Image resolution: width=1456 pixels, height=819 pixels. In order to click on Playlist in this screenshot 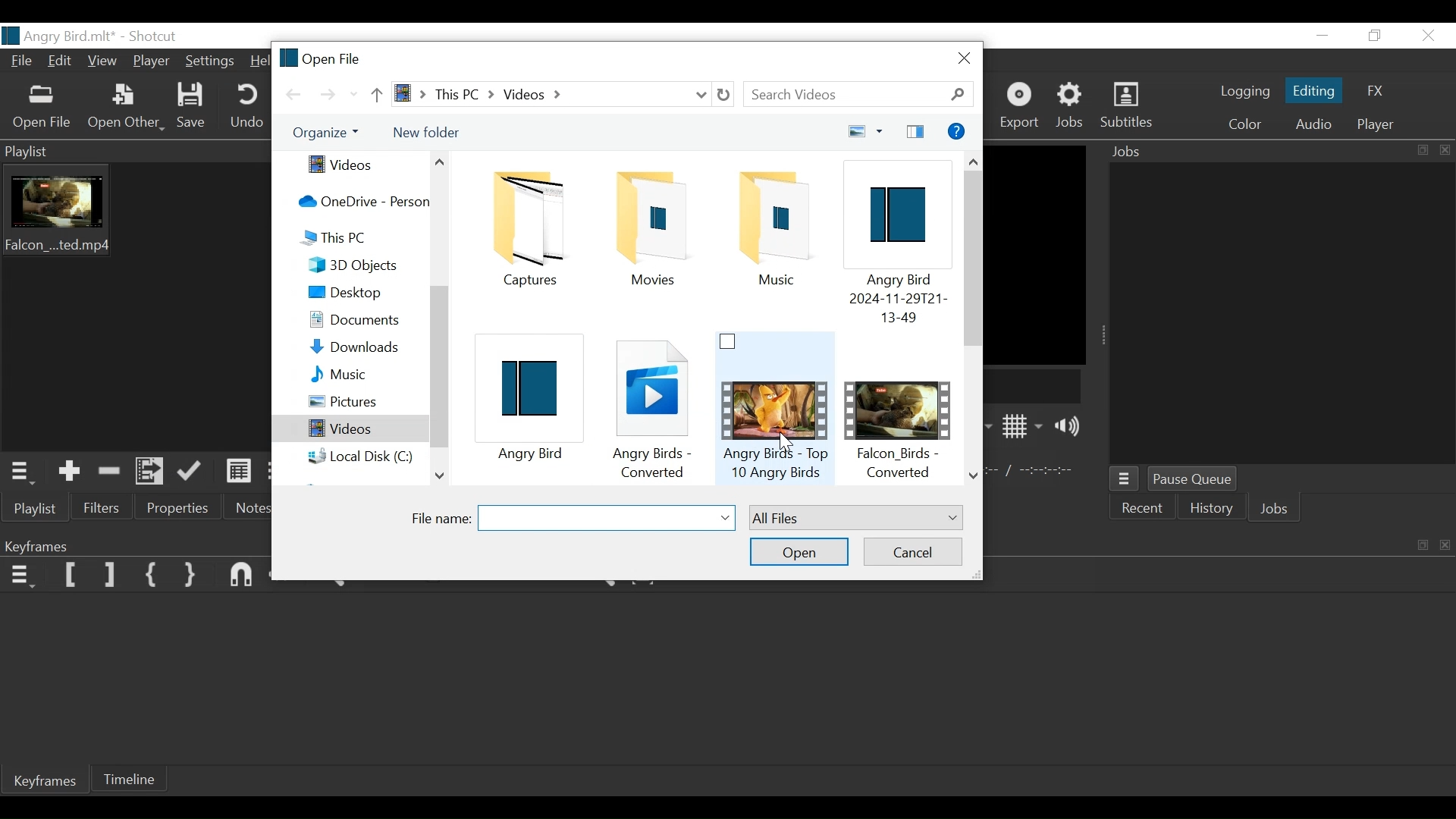, I will do `click(39, 508)`.